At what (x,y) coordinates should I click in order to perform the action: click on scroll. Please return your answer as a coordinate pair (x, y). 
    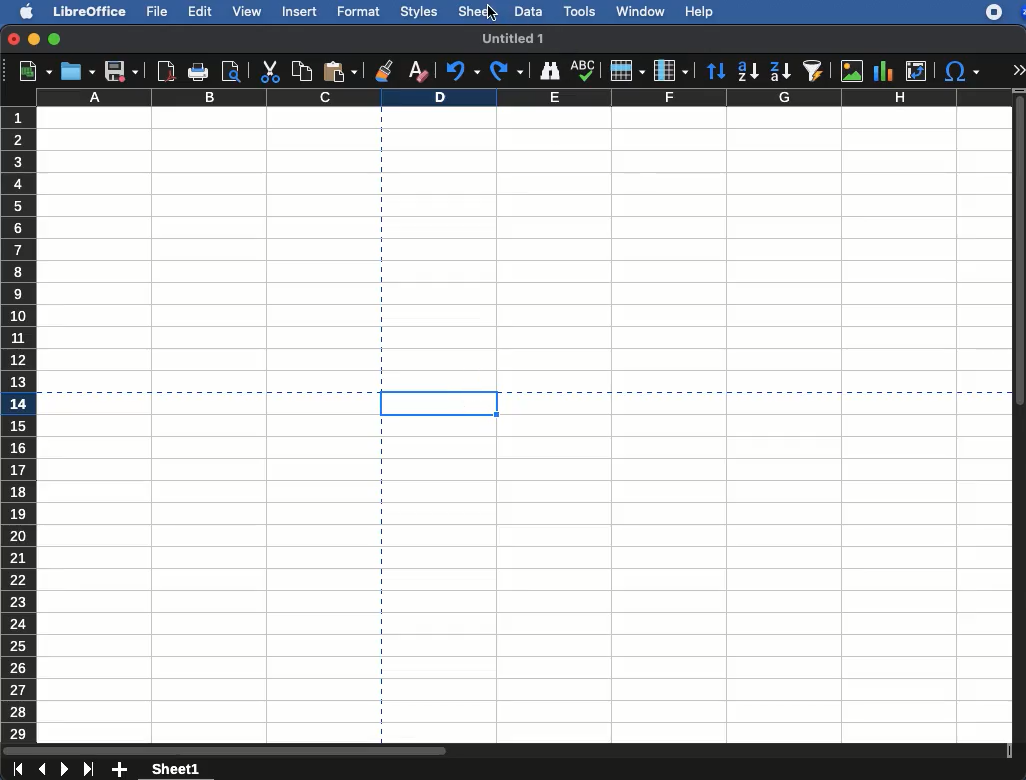
    Looking at the image, I should click on (1020, 418).